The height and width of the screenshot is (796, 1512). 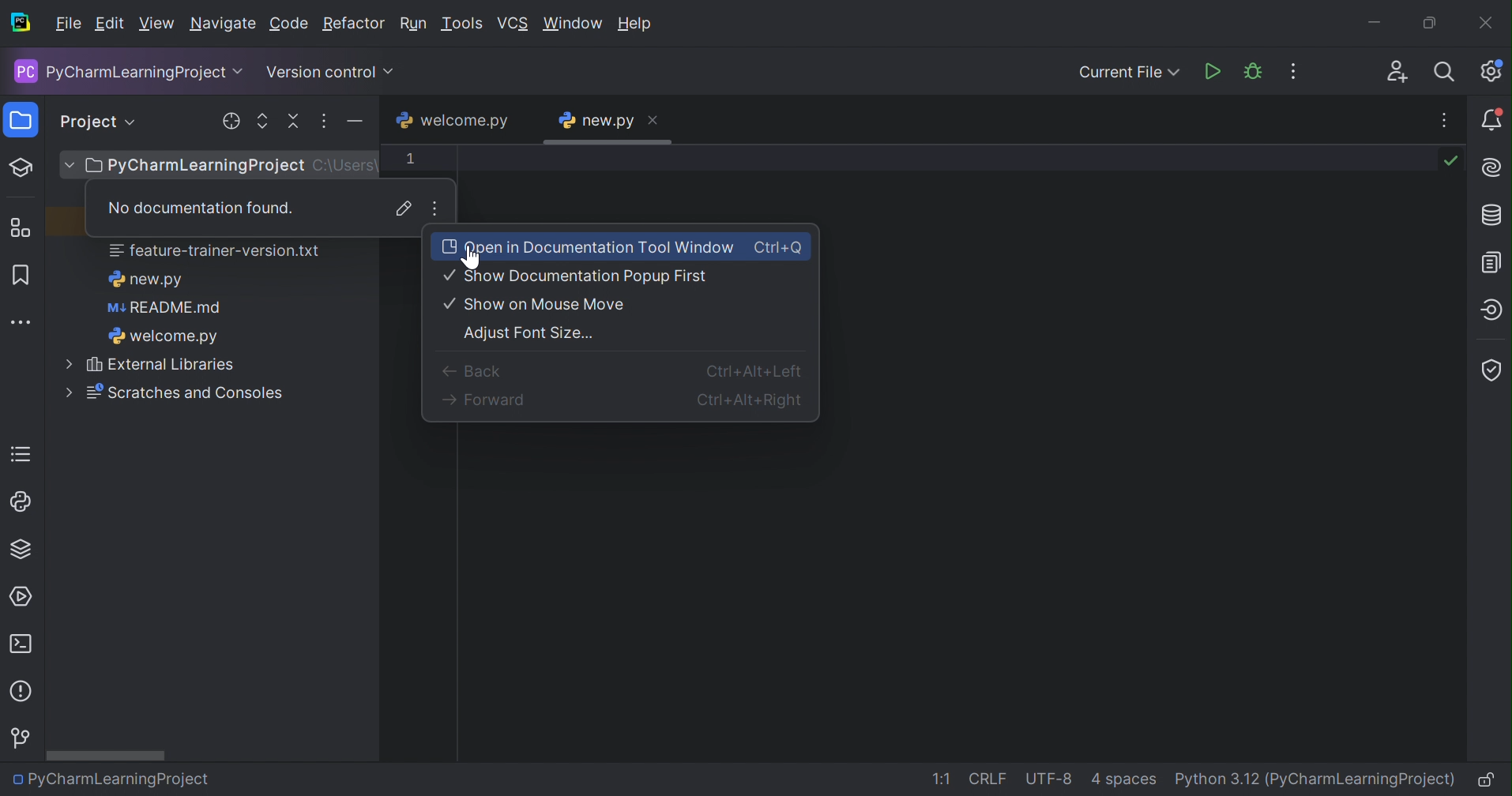 I want to click on CRLF, so click(x=988, y=779).